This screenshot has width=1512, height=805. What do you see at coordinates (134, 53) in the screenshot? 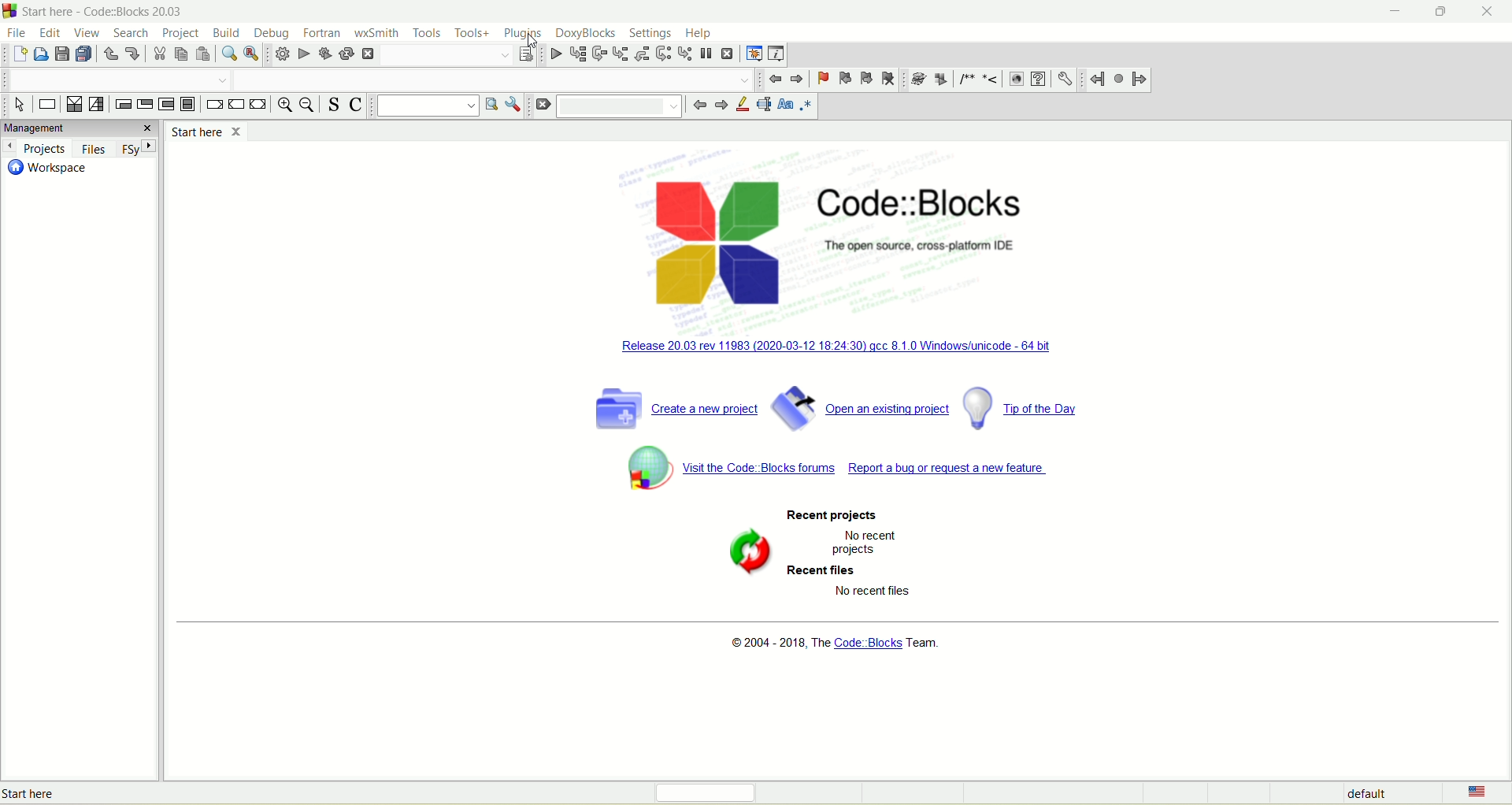
I see `redo` at bounding box center [134, 53].